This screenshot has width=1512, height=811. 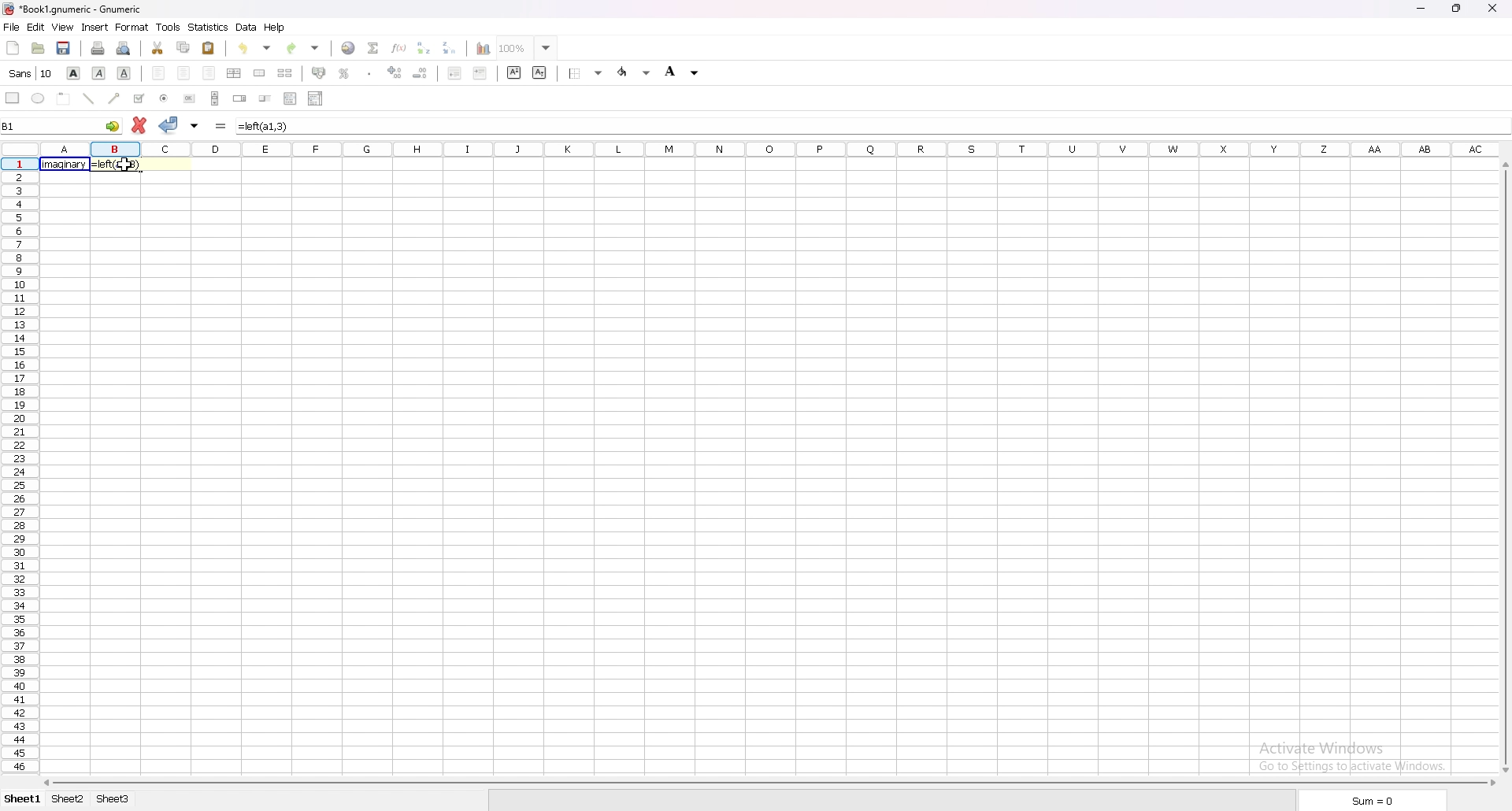 I want to click on increase decimals, so click(x=395, y=72).